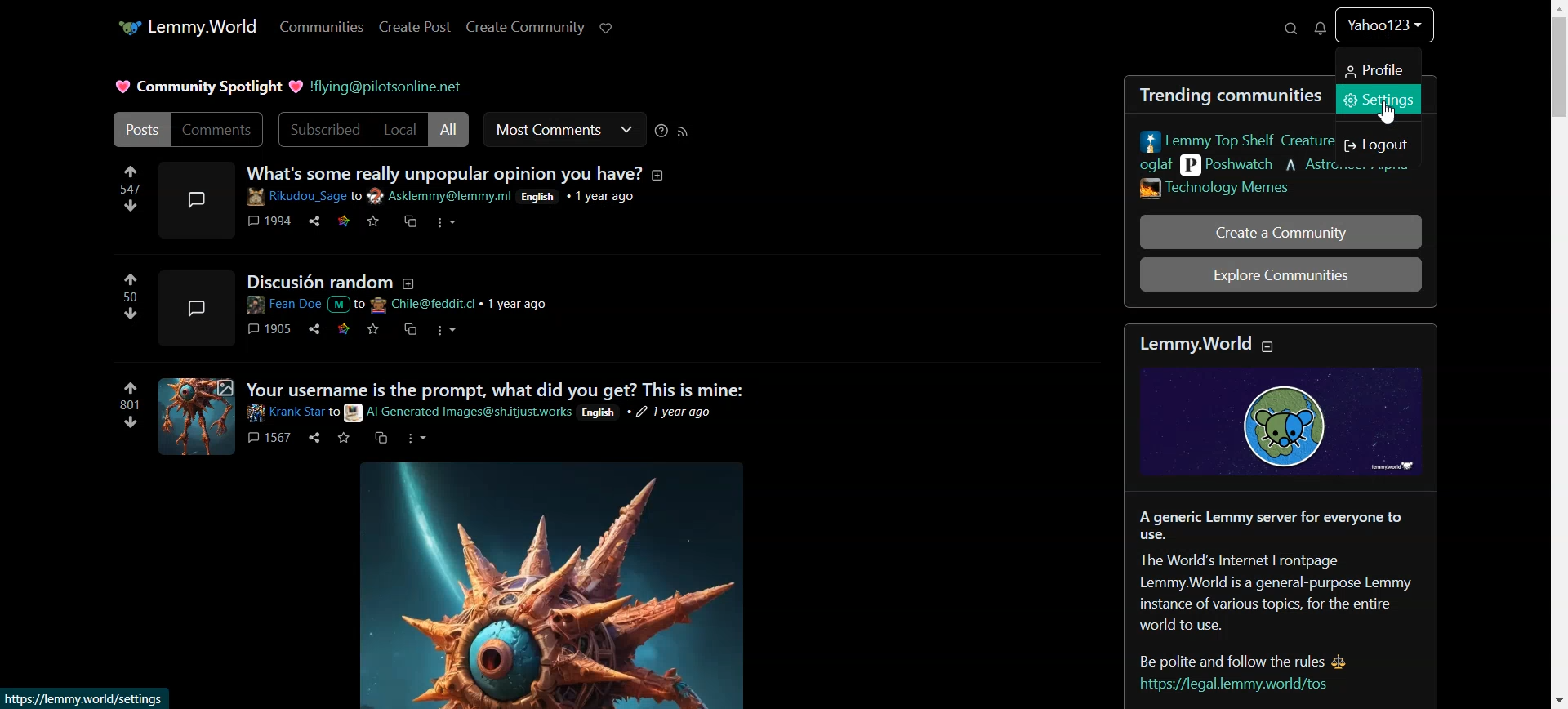 The image size is (1568, 709). I want to click on Profile, so click(1384, 29).